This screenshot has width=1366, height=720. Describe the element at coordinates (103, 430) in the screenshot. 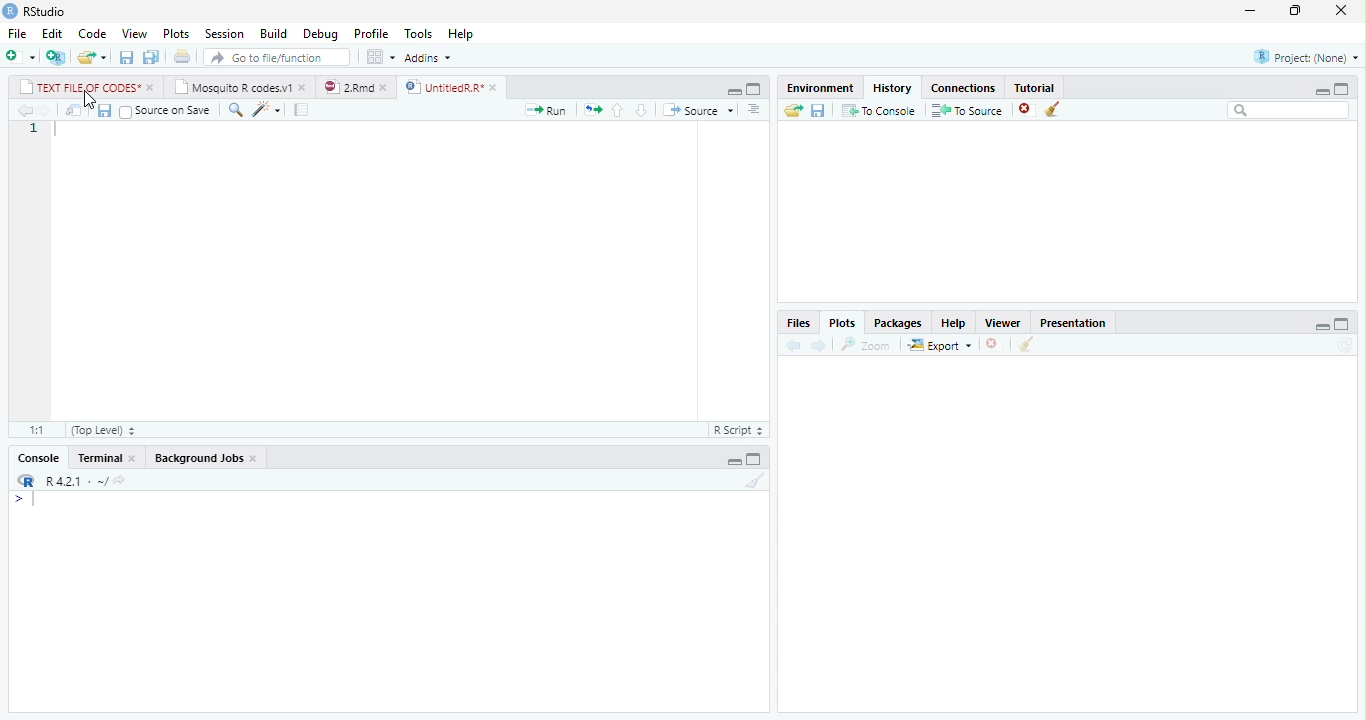

I see `Top Level` at that location.